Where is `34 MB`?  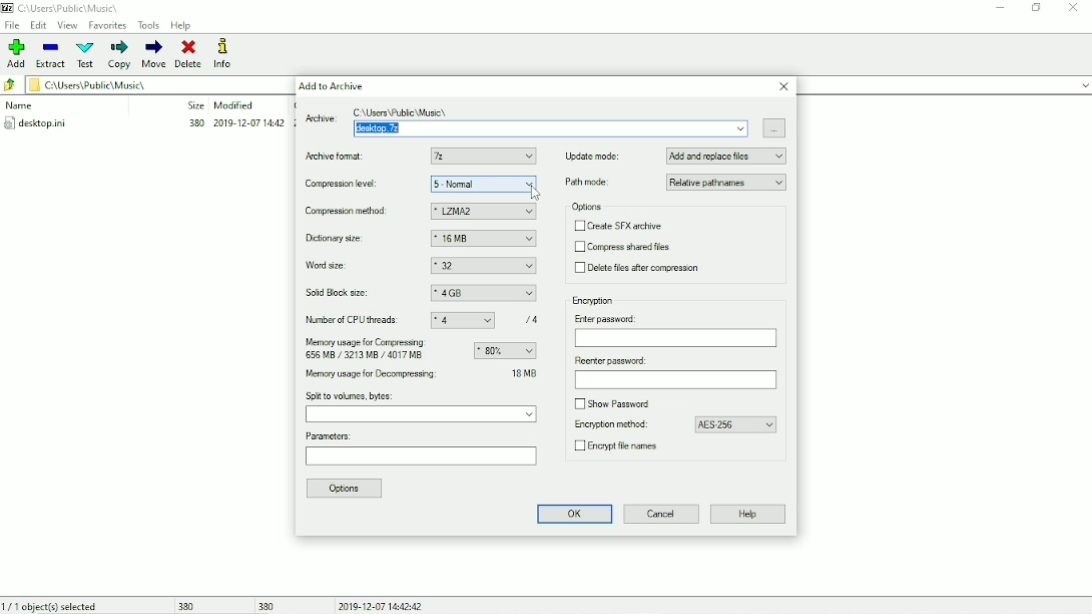
34 MB is located at coordinates (524, 372).